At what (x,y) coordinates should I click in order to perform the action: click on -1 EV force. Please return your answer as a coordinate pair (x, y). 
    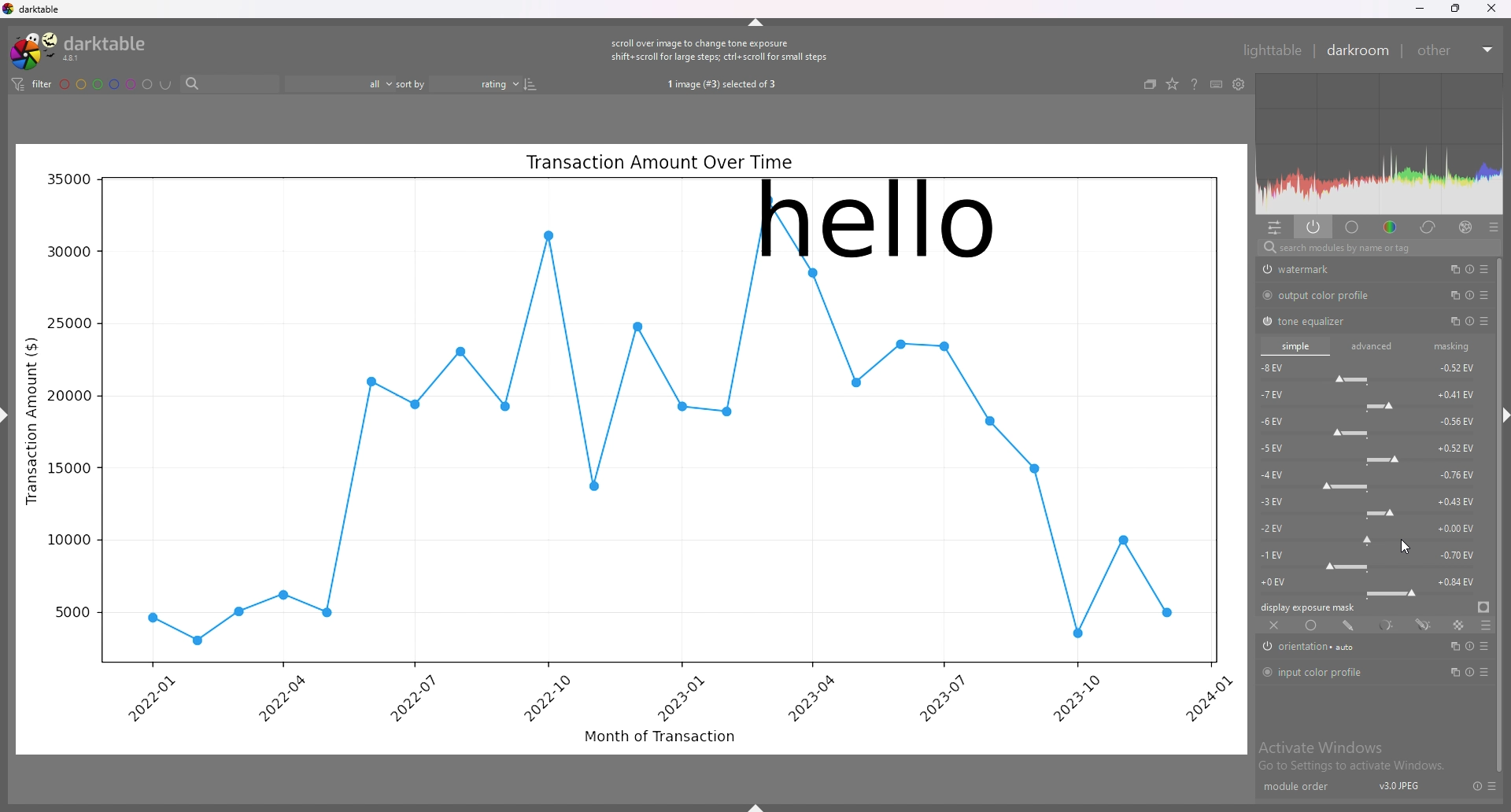
    Looking at the image, I should click on (1372, 559).